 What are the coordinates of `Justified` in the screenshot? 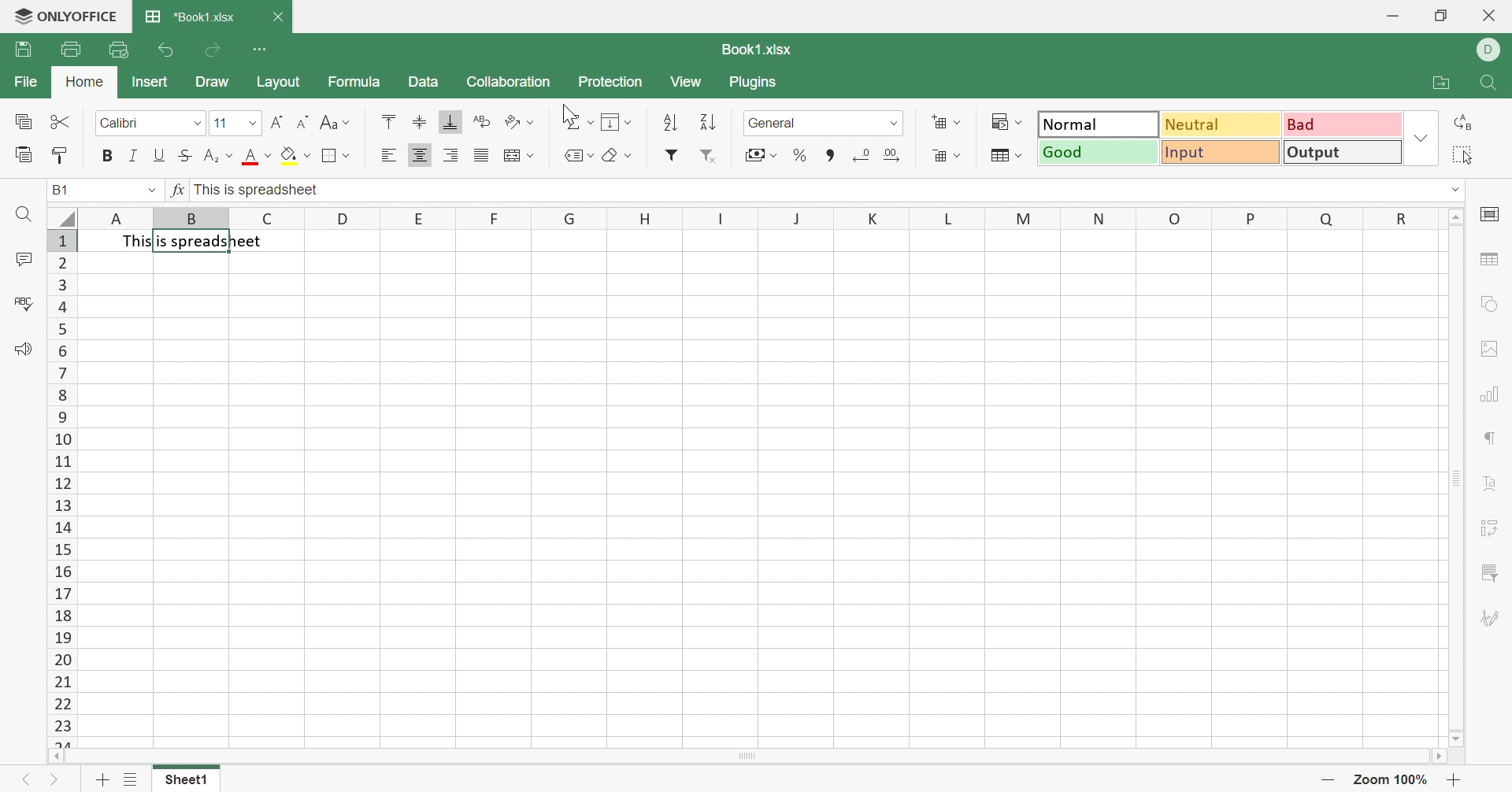 It's located at (483, 154).